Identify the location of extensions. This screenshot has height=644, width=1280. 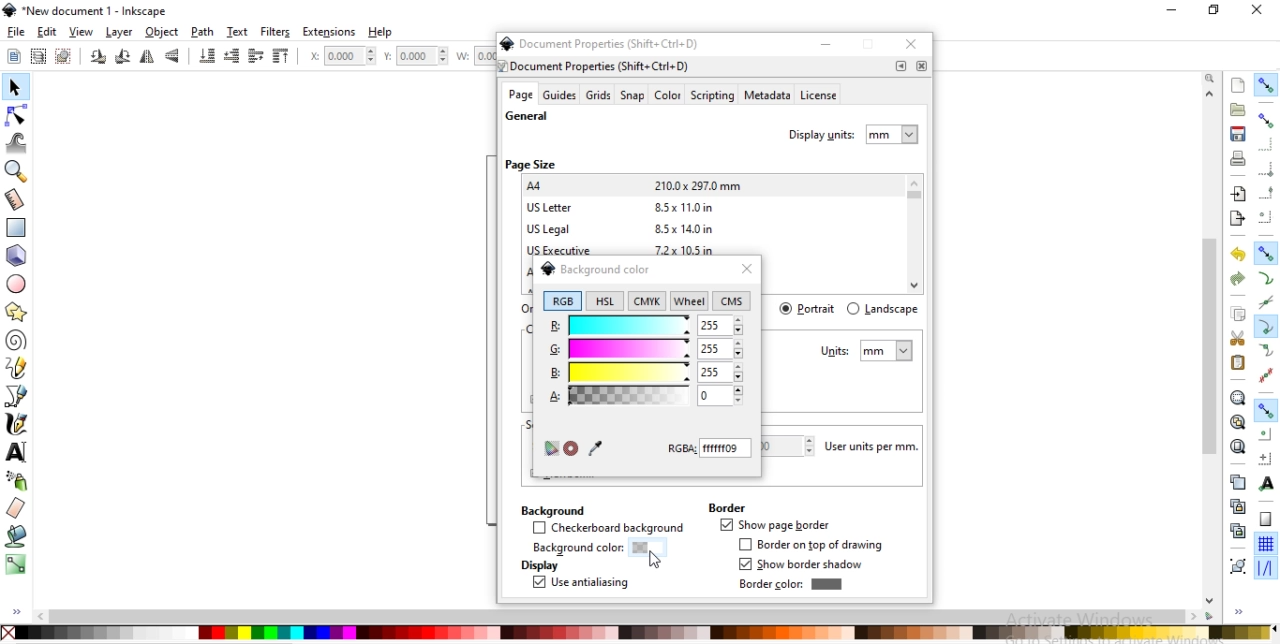
(329, 33).